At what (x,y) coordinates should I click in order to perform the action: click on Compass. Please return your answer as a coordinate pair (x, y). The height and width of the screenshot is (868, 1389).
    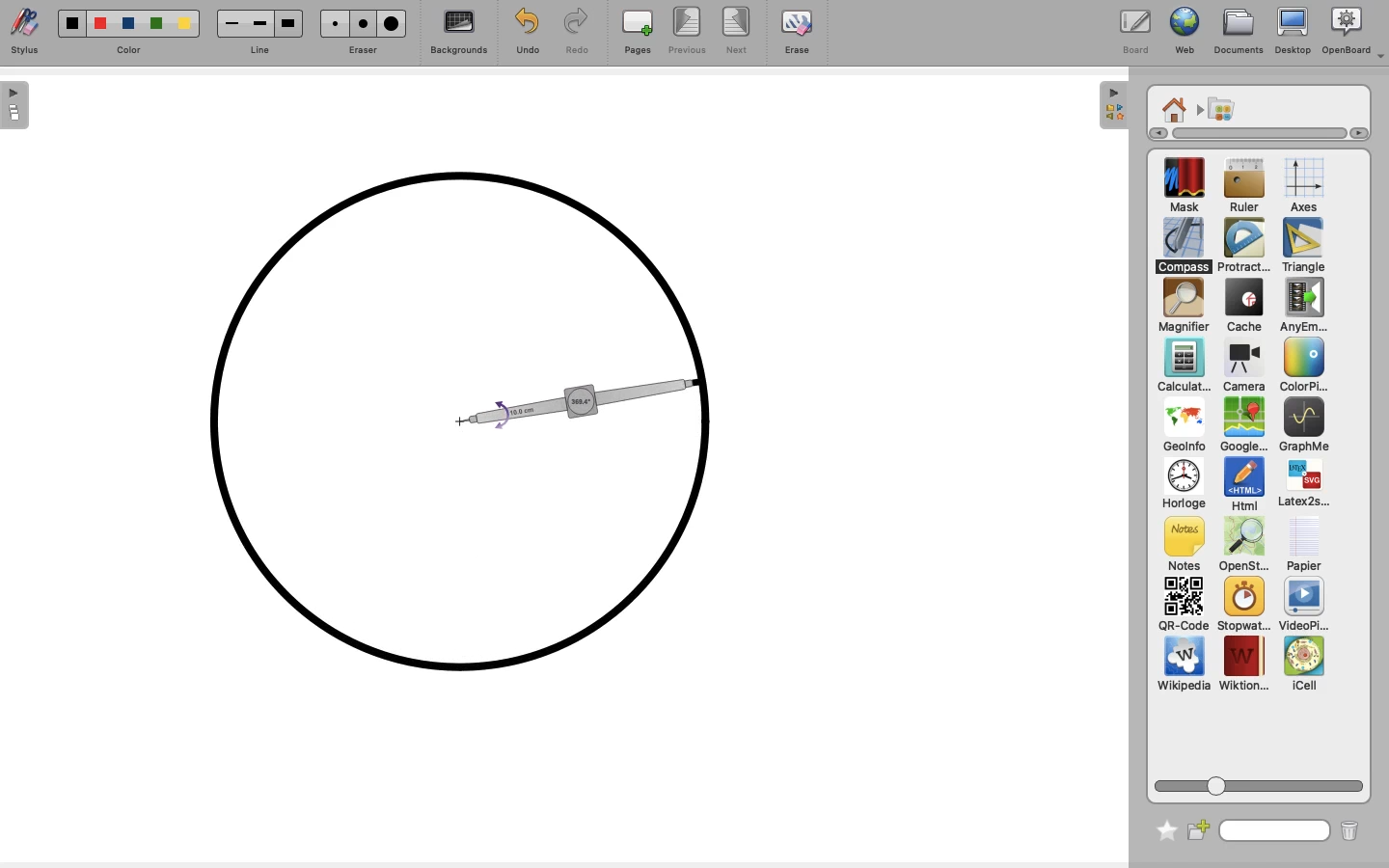
    Looking at the image, I should click on (1185, 245).